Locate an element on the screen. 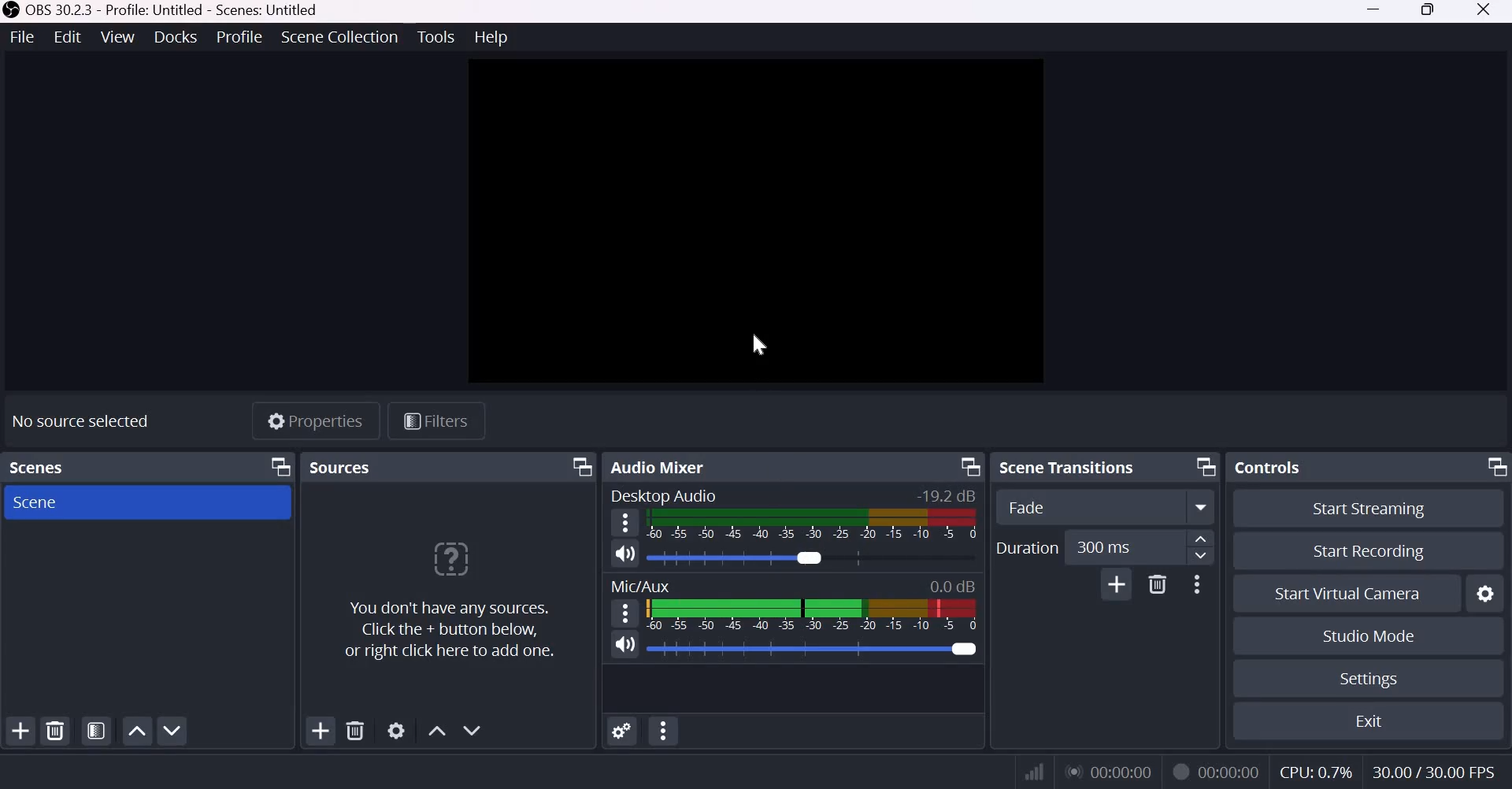 The height and width of the screenshot is (789, 1512). Connection Status Indicator is located at coordinates (1036, 771).